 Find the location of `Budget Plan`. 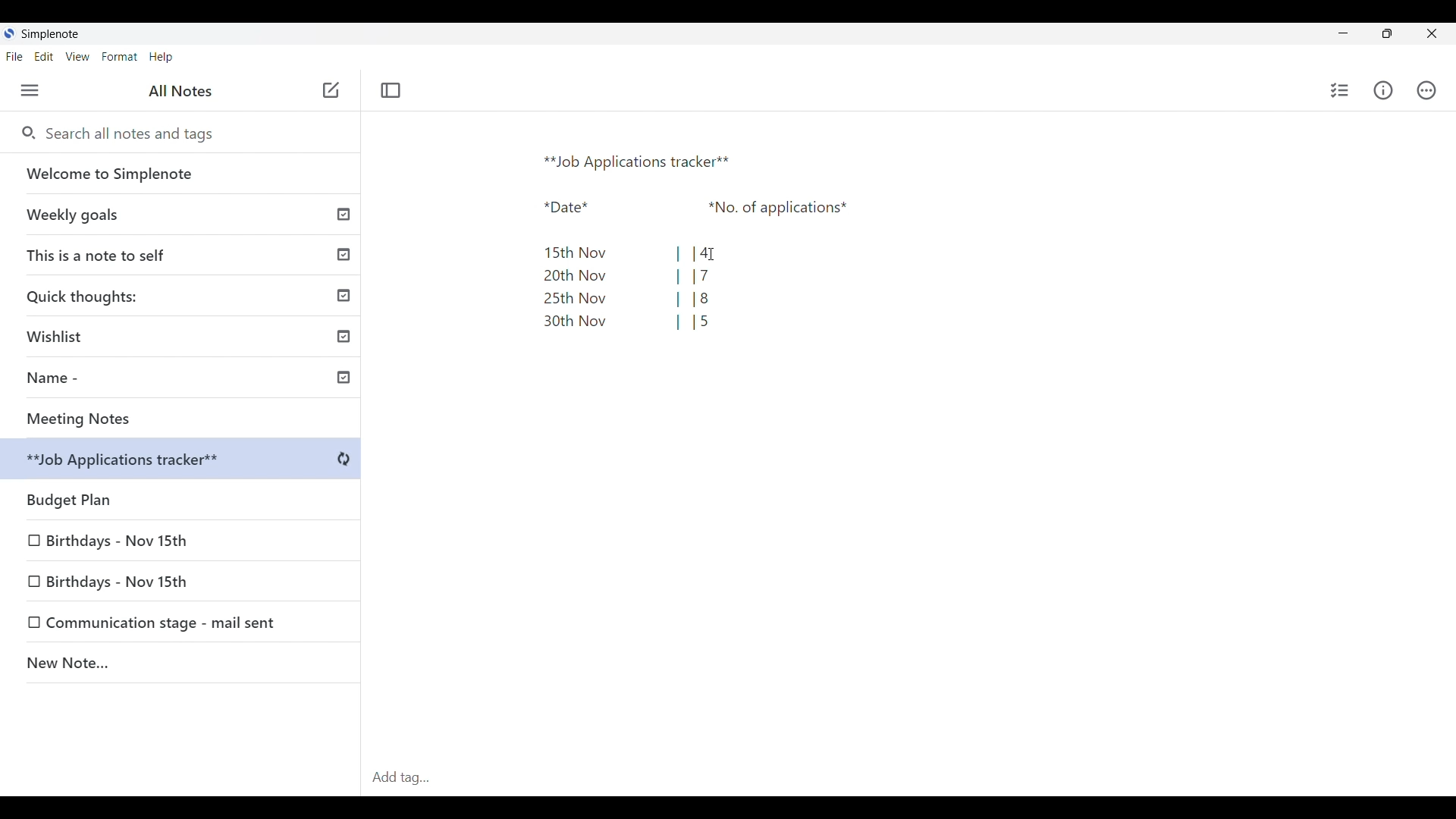

Budget Plan is located at coordinates (184, 461).